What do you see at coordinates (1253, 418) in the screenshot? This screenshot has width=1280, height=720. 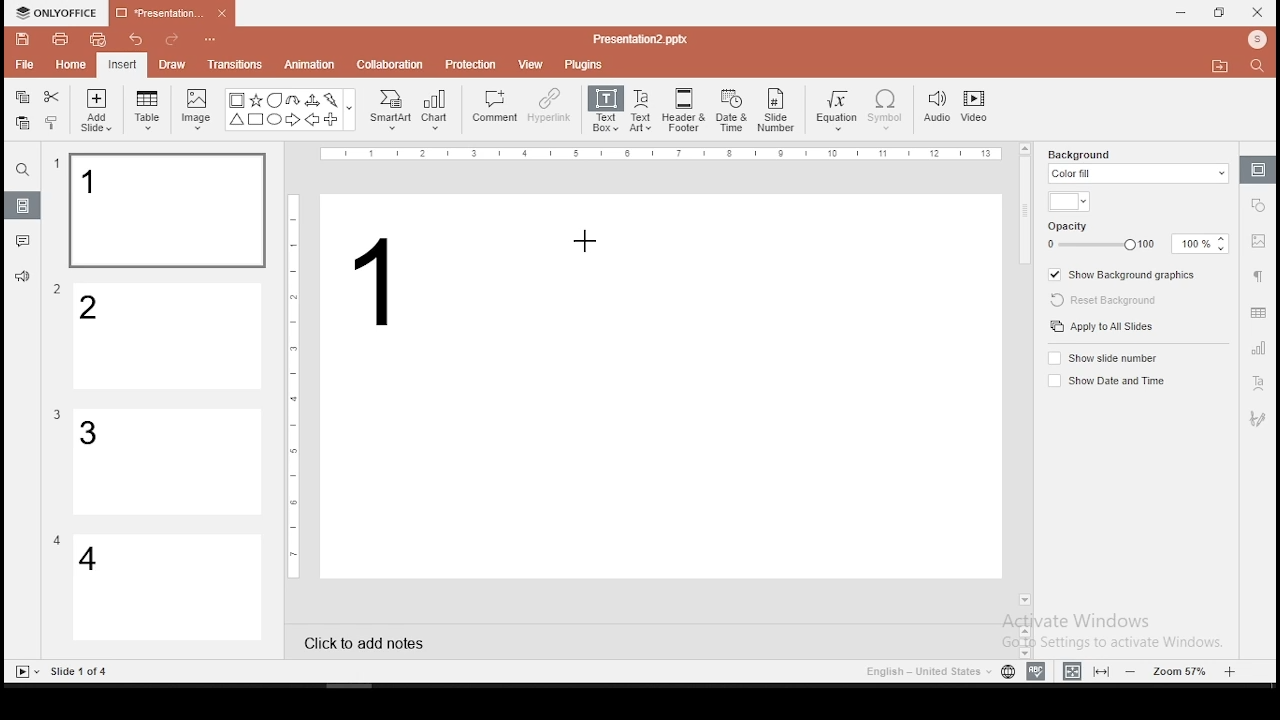 I see `` at bounding box center [1253, 418].